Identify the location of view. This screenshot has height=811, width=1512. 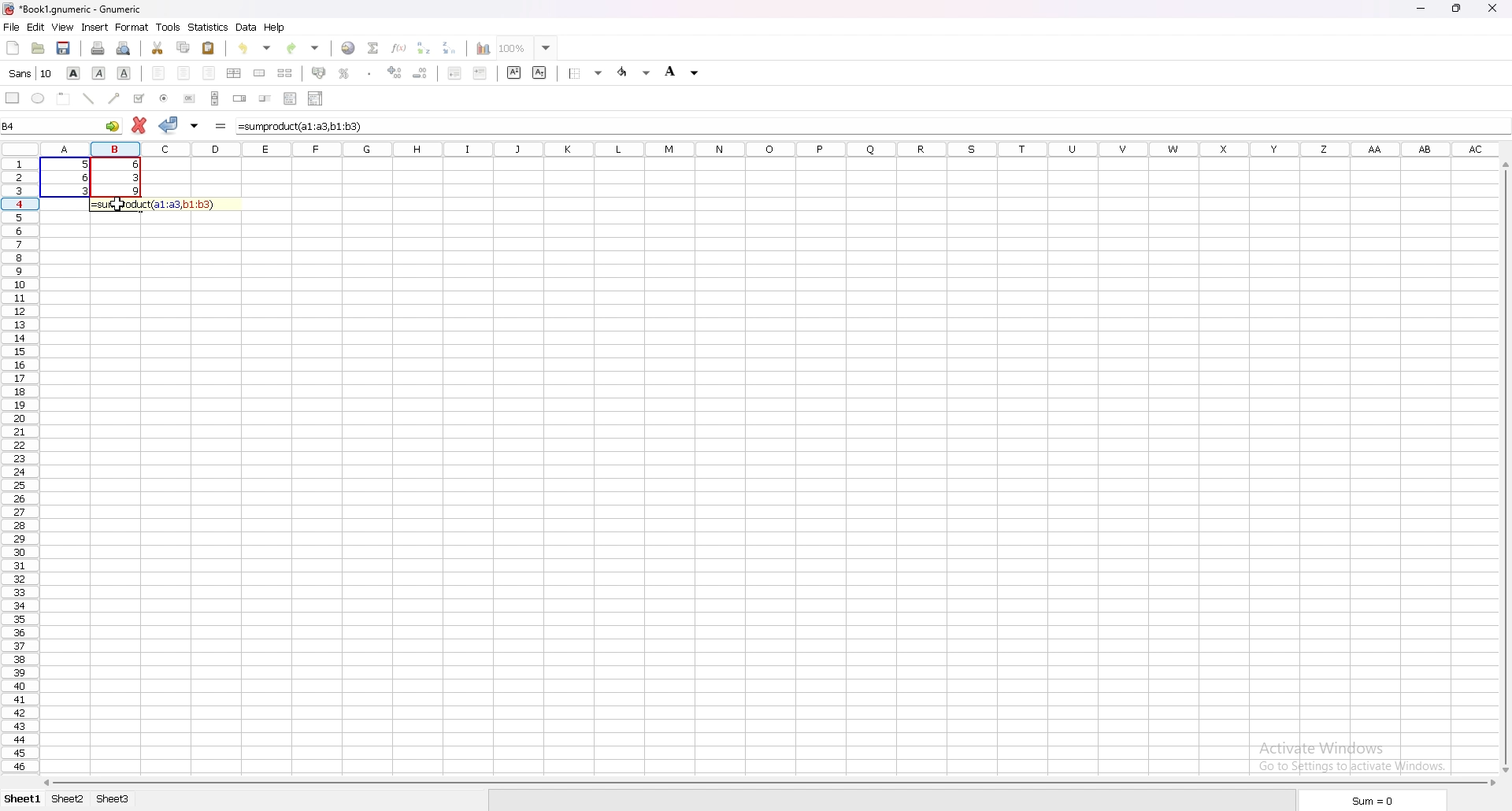
(63, 28).